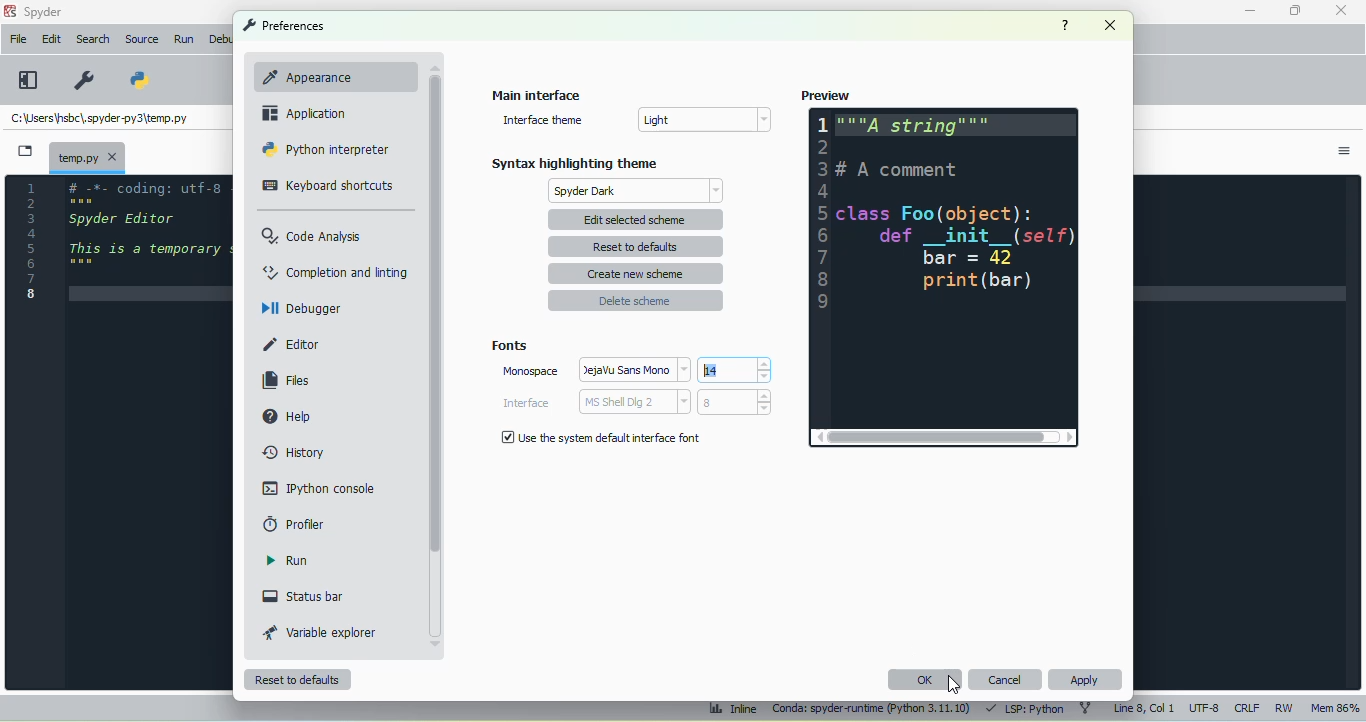 Image resolution: width=1366 pixels, height=722 pixels. I want to click on reset to defaults, so click(635, 247).